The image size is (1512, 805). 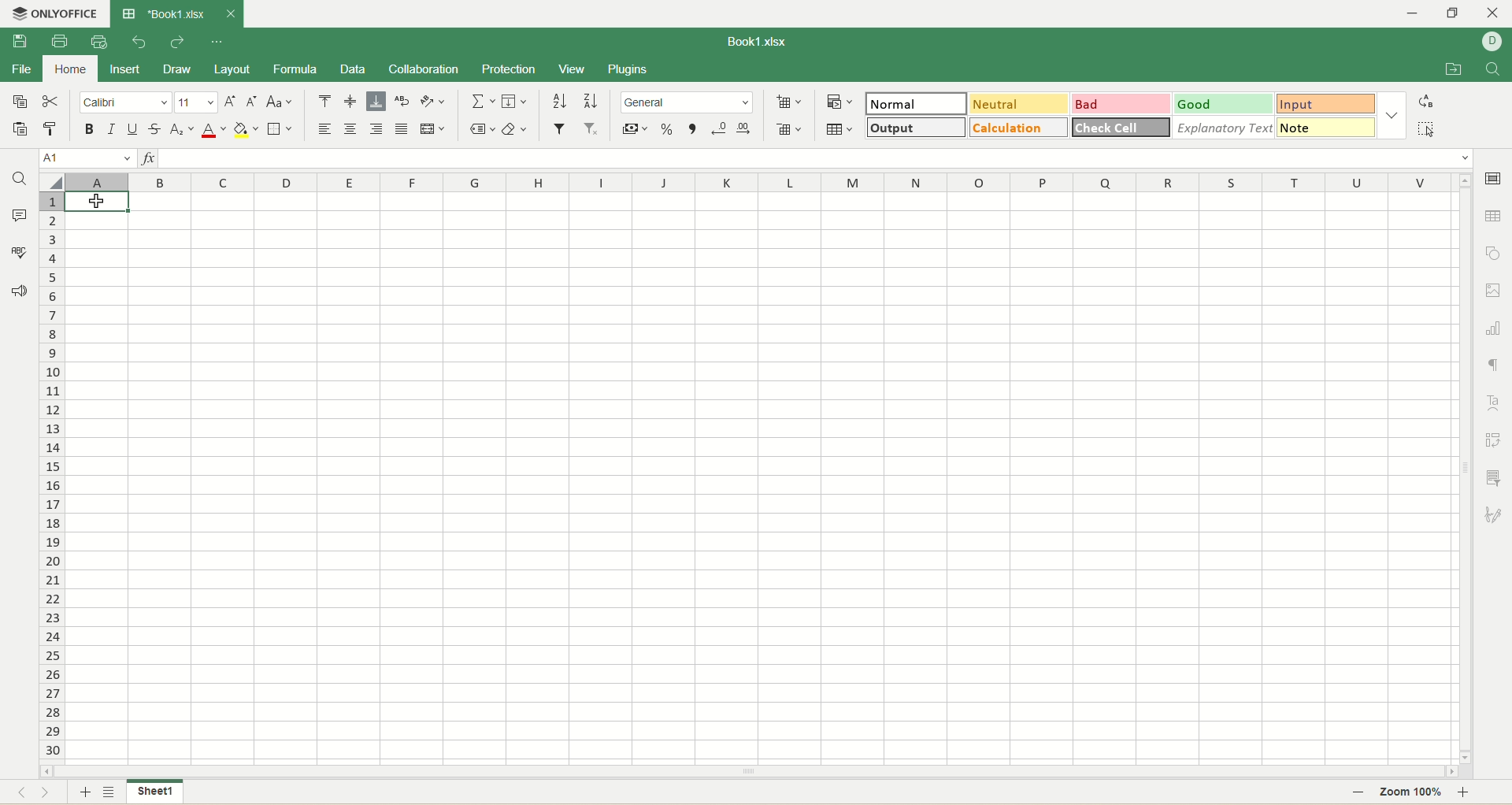 What do you see at coordinates (788, 128) in the screenshot?
I see `remove cell` at bounding box center [788, 128].